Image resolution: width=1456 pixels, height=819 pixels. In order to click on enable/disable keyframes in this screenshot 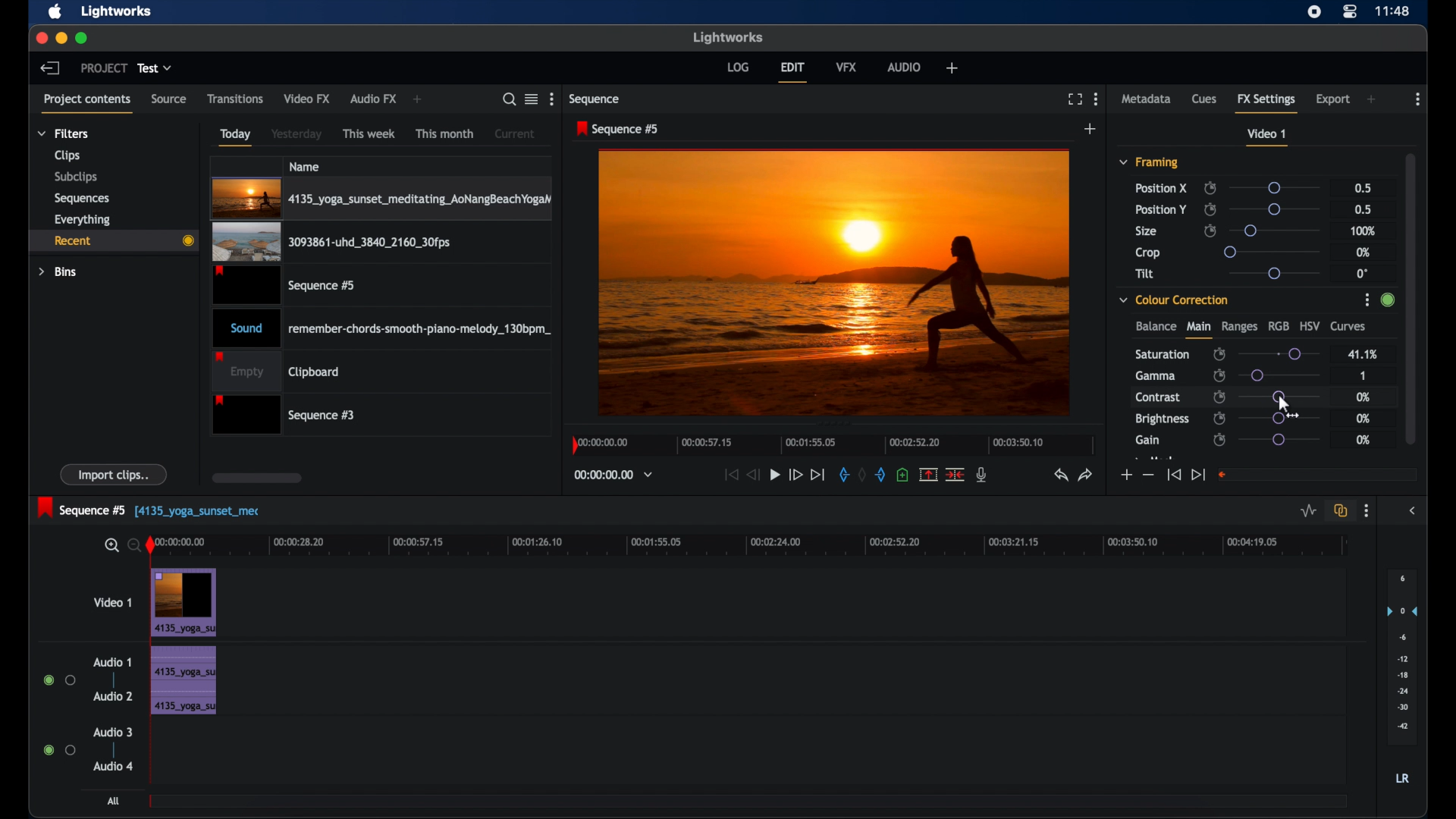, I will do `click(1219, 440)`.